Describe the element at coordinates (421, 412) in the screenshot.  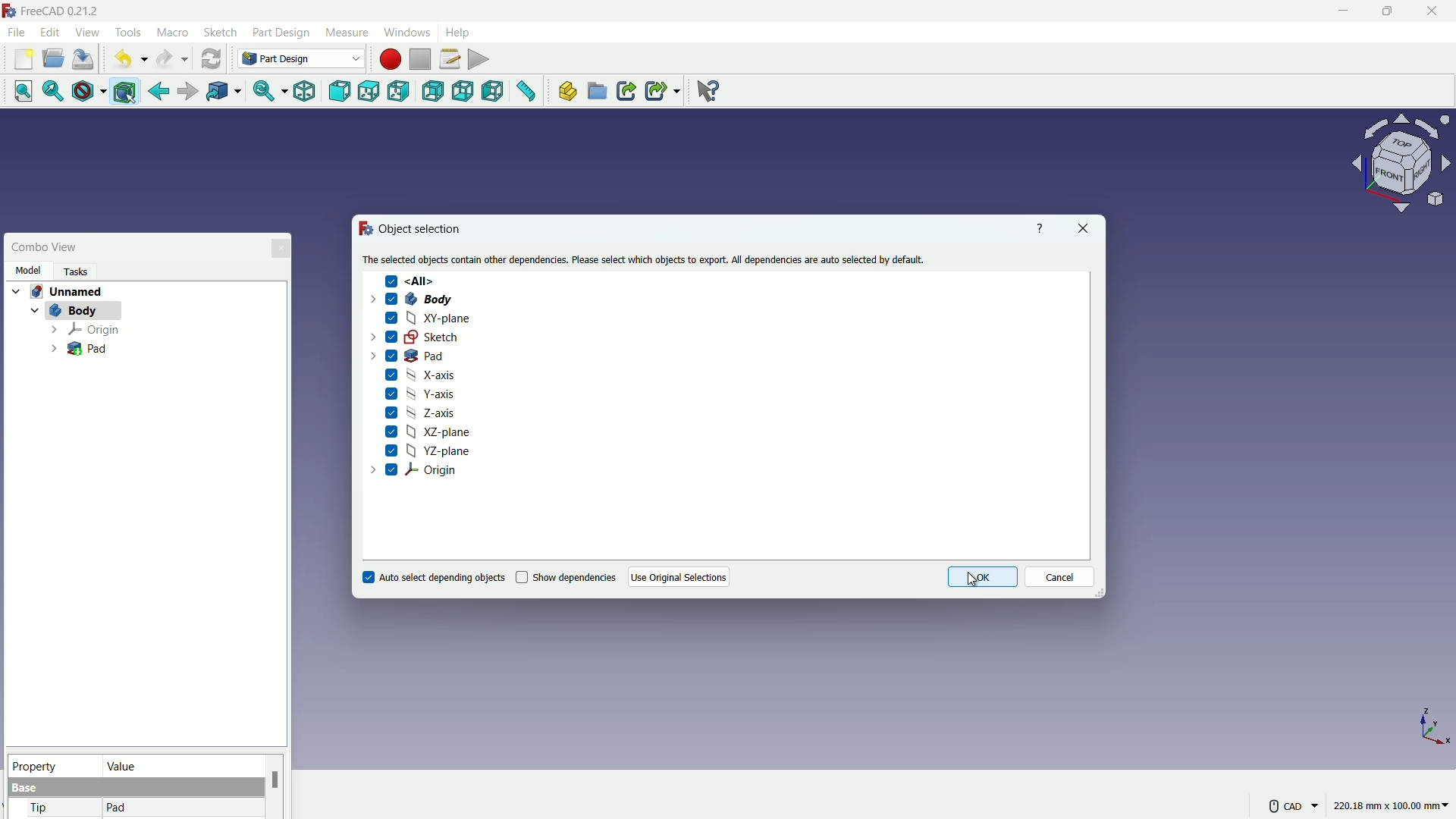
I see `Z-axis` at that location.